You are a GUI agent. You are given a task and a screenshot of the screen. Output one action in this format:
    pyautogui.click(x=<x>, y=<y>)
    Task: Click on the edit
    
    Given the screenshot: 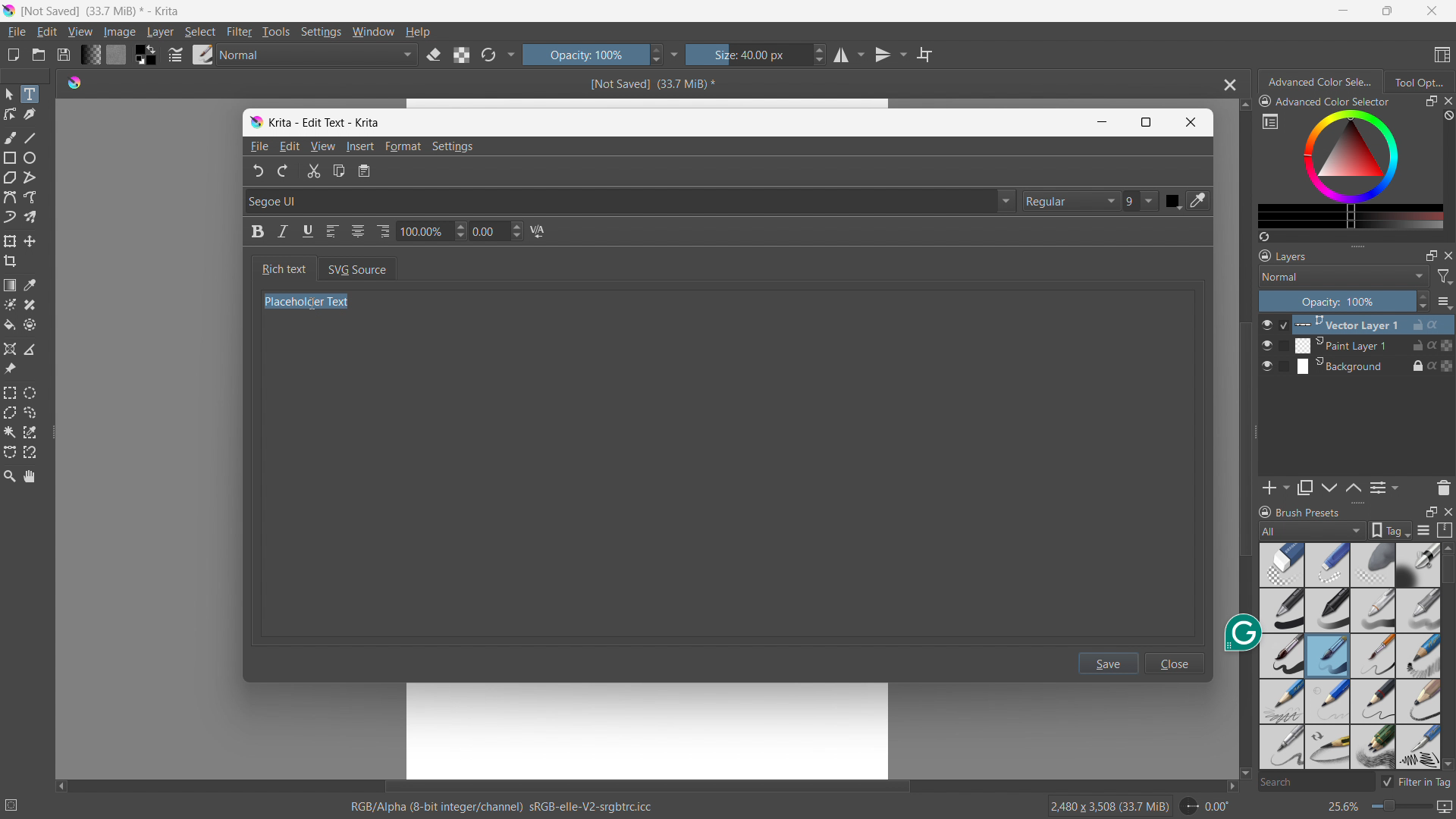 What is the action you would take?
    pyautogui.click(x=290, y=147)
    